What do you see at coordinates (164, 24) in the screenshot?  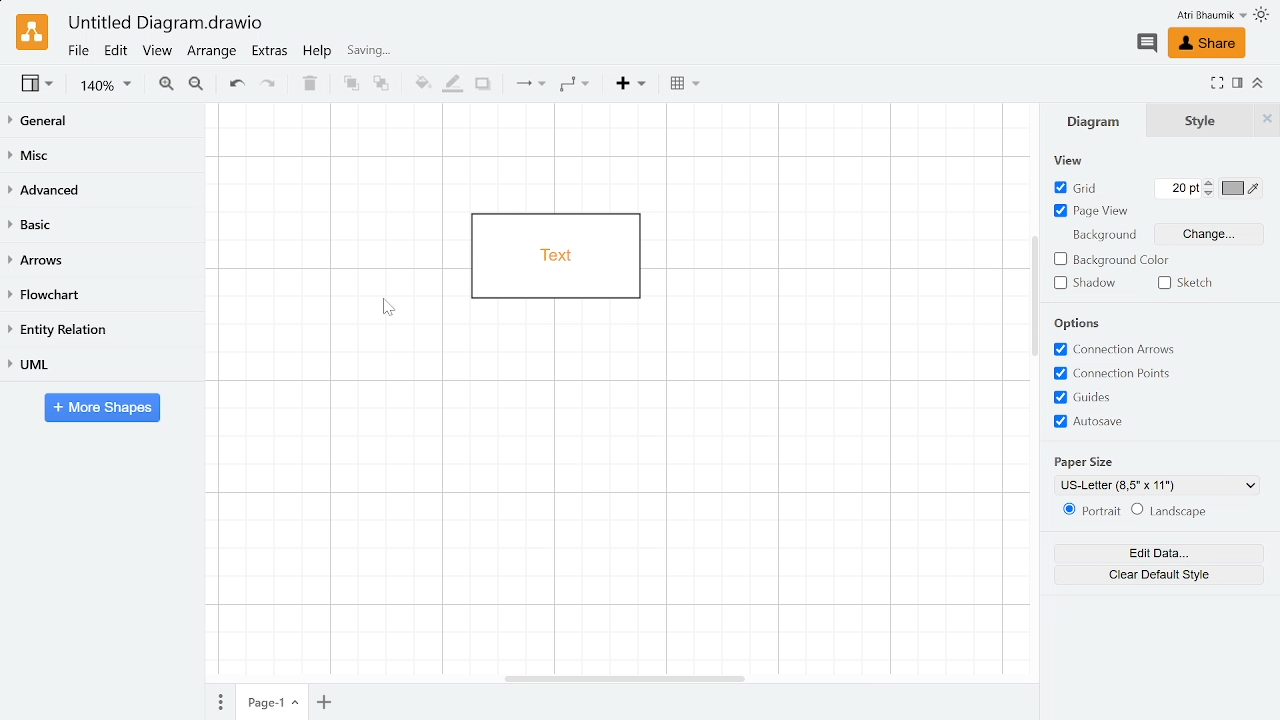 I see `Current window` at bounding box center [164, 24].